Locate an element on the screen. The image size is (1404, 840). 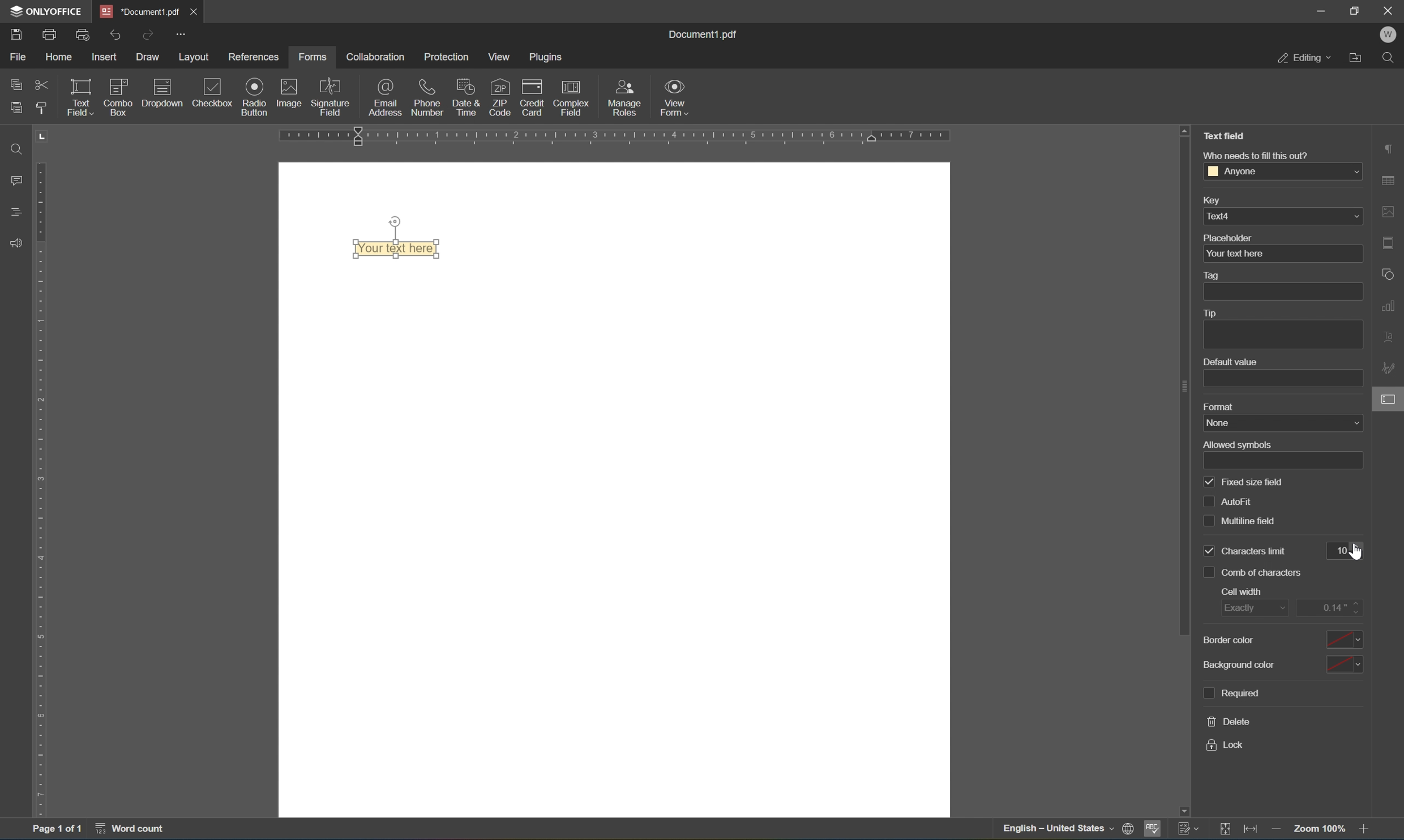
scroll down is located at coordinates (1187, 808).